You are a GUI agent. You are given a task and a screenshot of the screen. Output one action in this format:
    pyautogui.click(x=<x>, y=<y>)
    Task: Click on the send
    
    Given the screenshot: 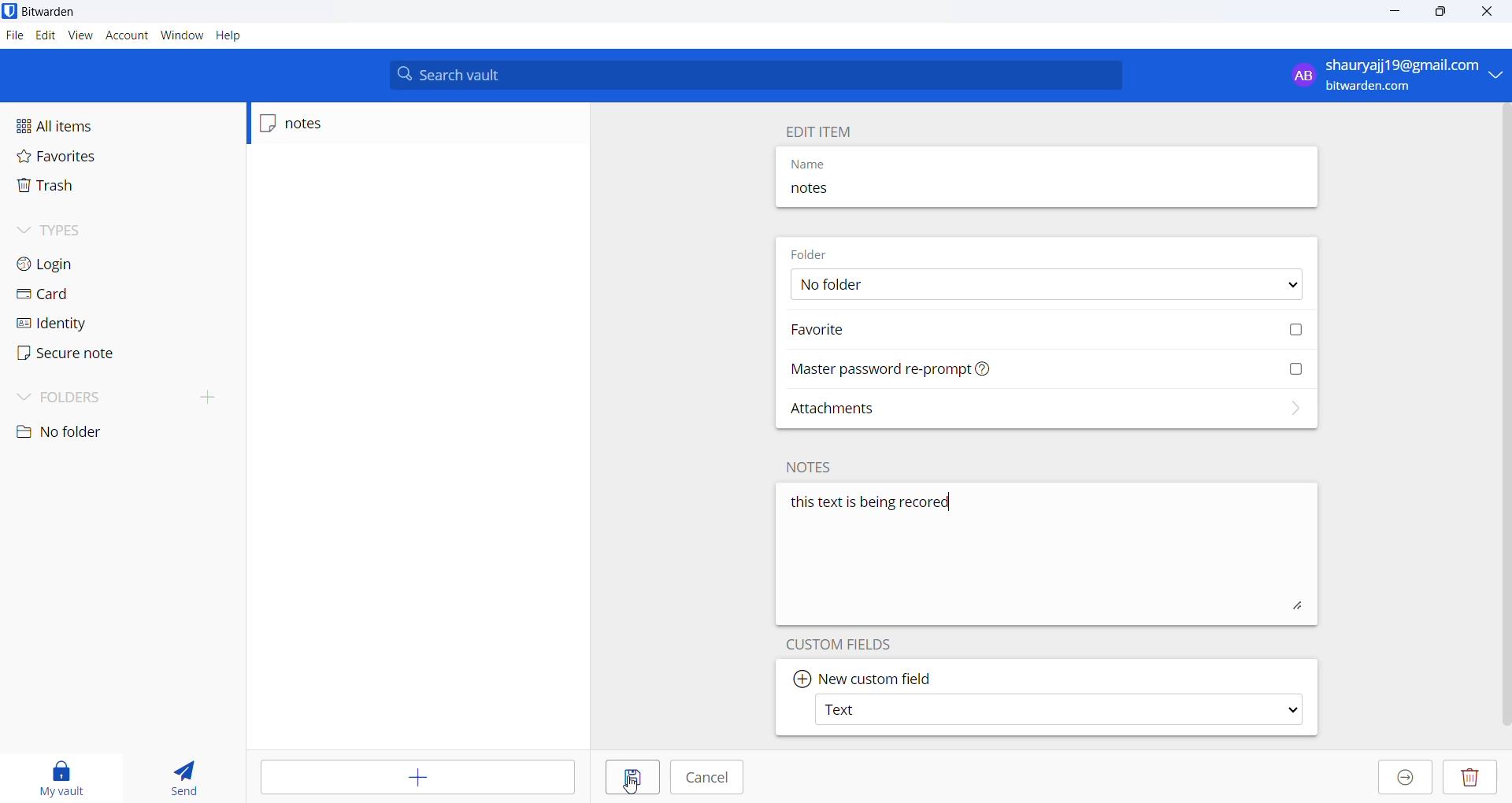 What is the action you would take?
    pyautogui.click(x=179, y=777)
    